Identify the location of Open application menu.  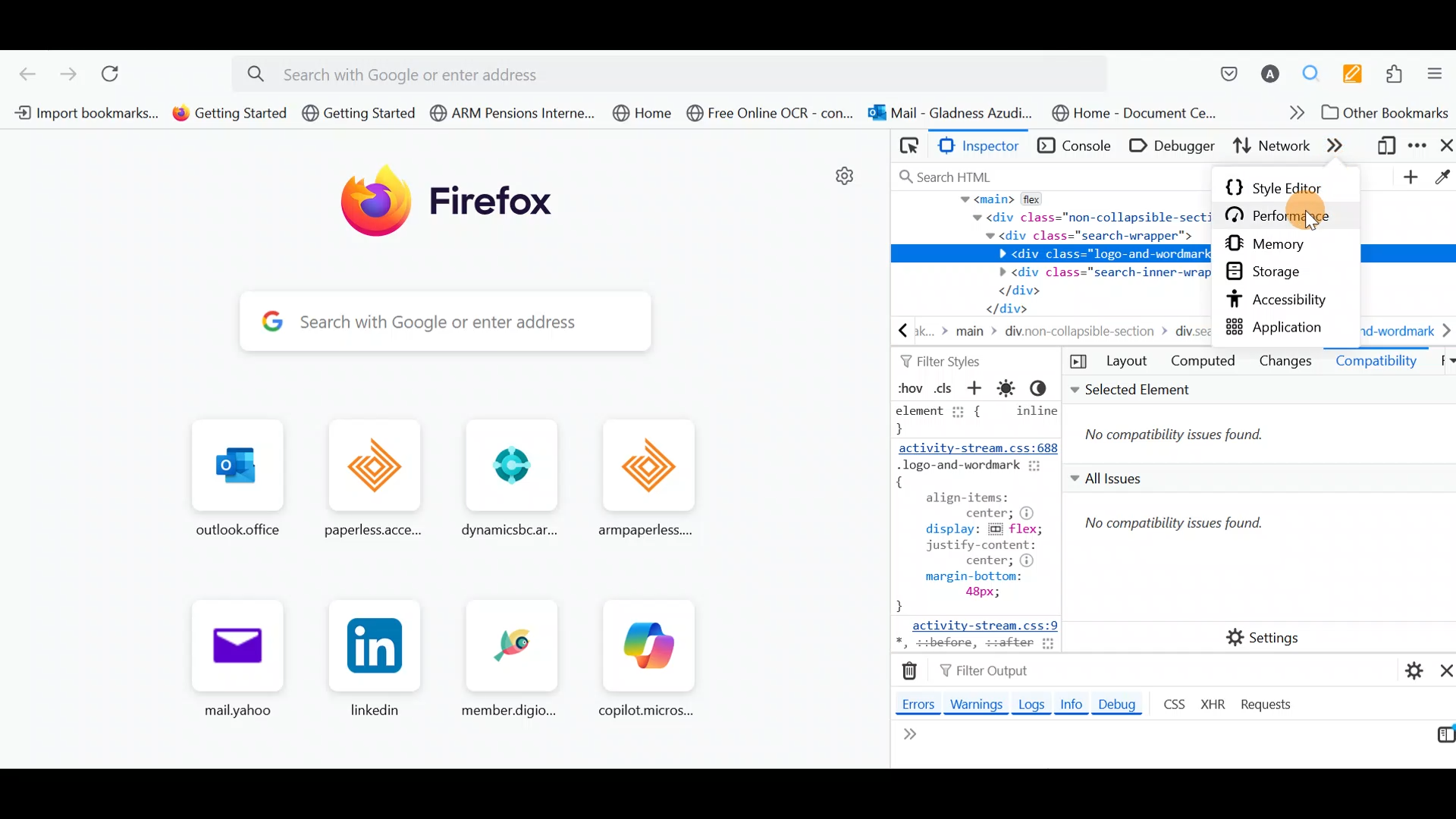
(1439, 77).